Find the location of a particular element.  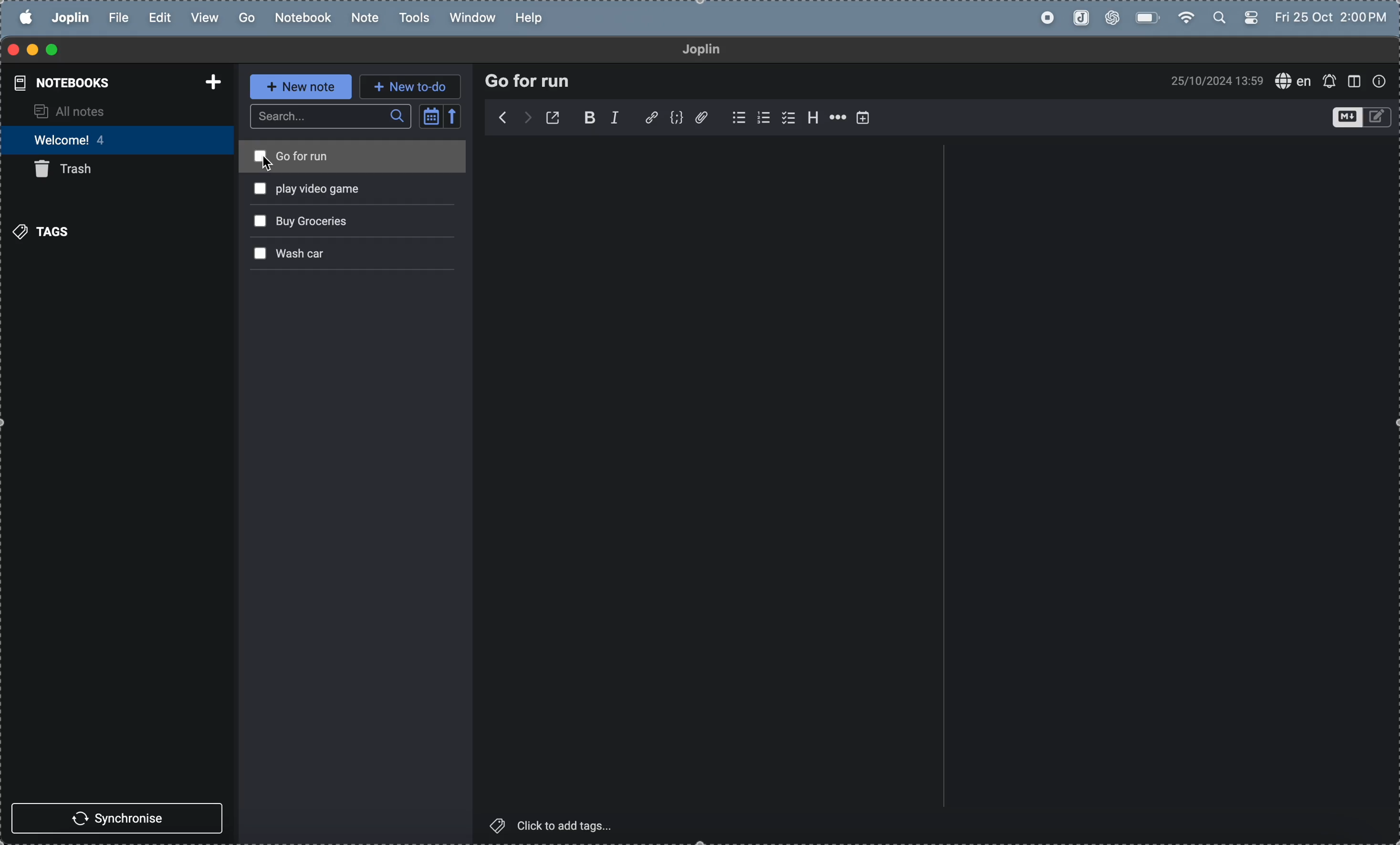

time and date is located at coordinates (1208, 81).